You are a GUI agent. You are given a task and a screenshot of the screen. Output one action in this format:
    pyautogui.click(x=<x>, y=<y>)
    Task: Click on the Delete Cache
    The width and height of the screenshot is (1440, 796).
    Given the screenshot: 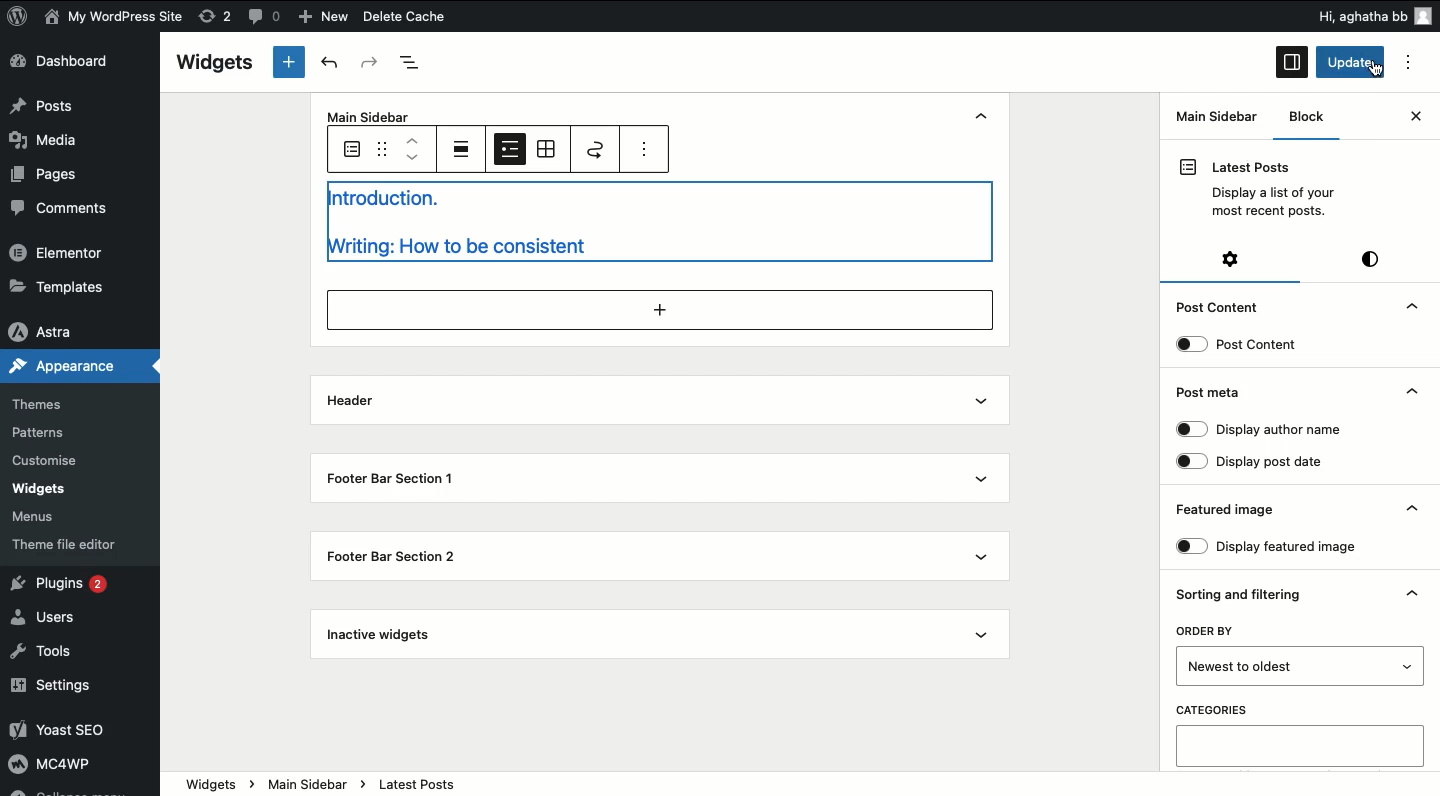 What is the action you would take?
    pyautogui.click(x=441, y=14)
    